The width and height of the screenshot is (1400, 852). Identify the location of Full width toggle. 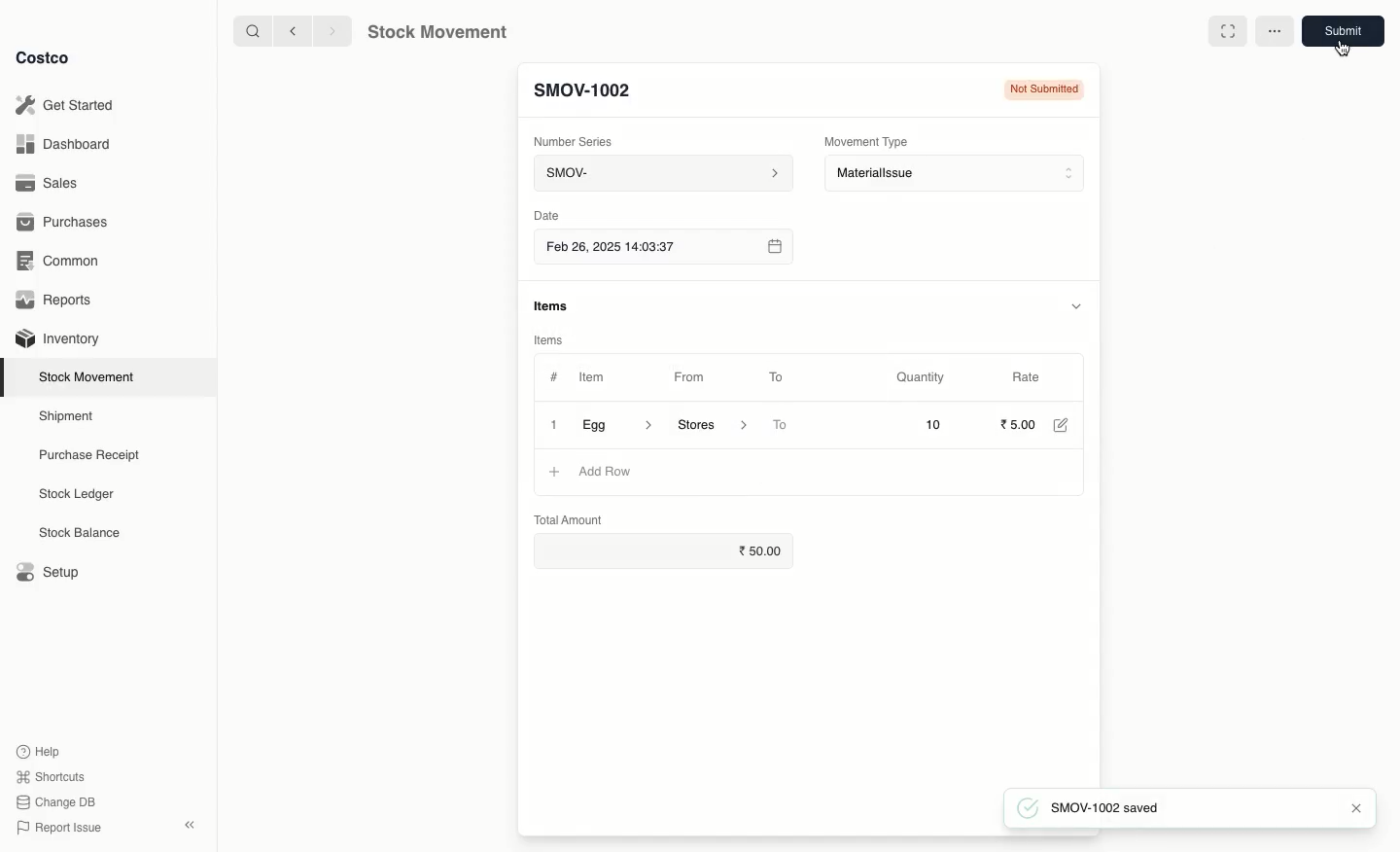
(1224, 31).